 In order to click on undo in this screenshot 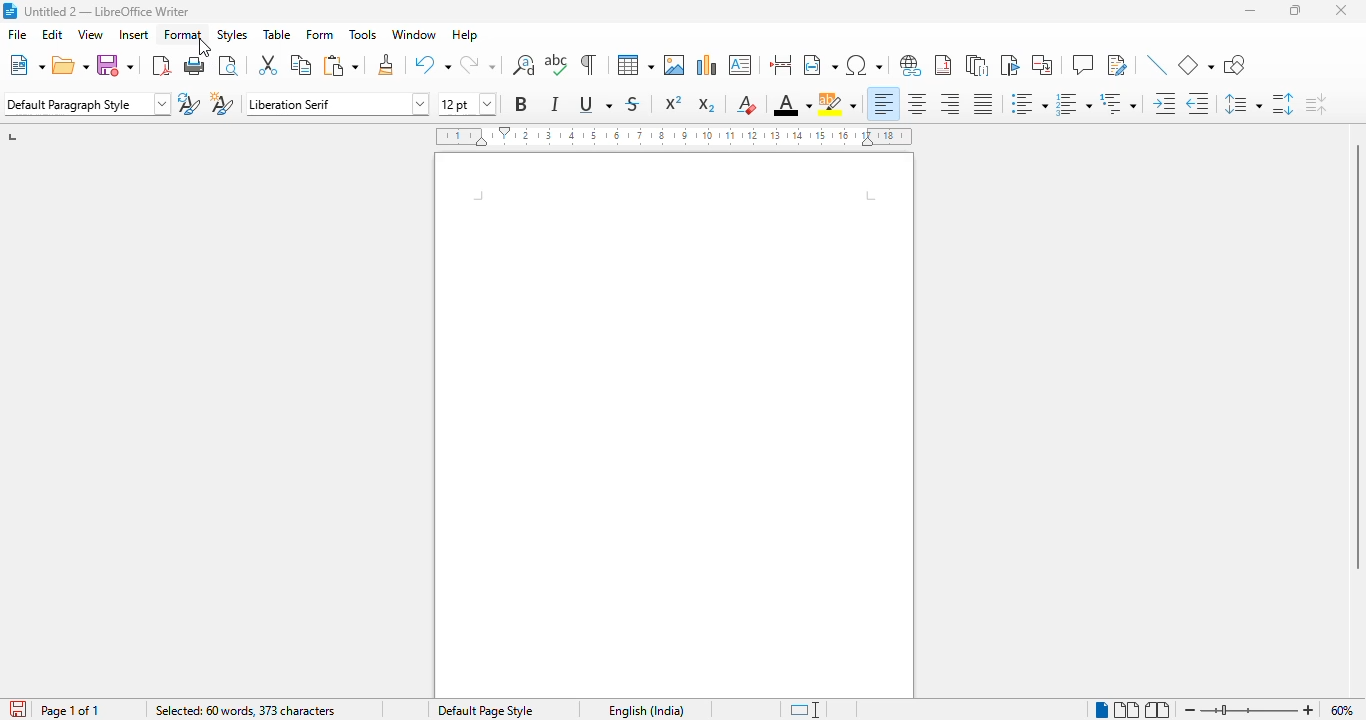, I will do `click(432, 65)`.